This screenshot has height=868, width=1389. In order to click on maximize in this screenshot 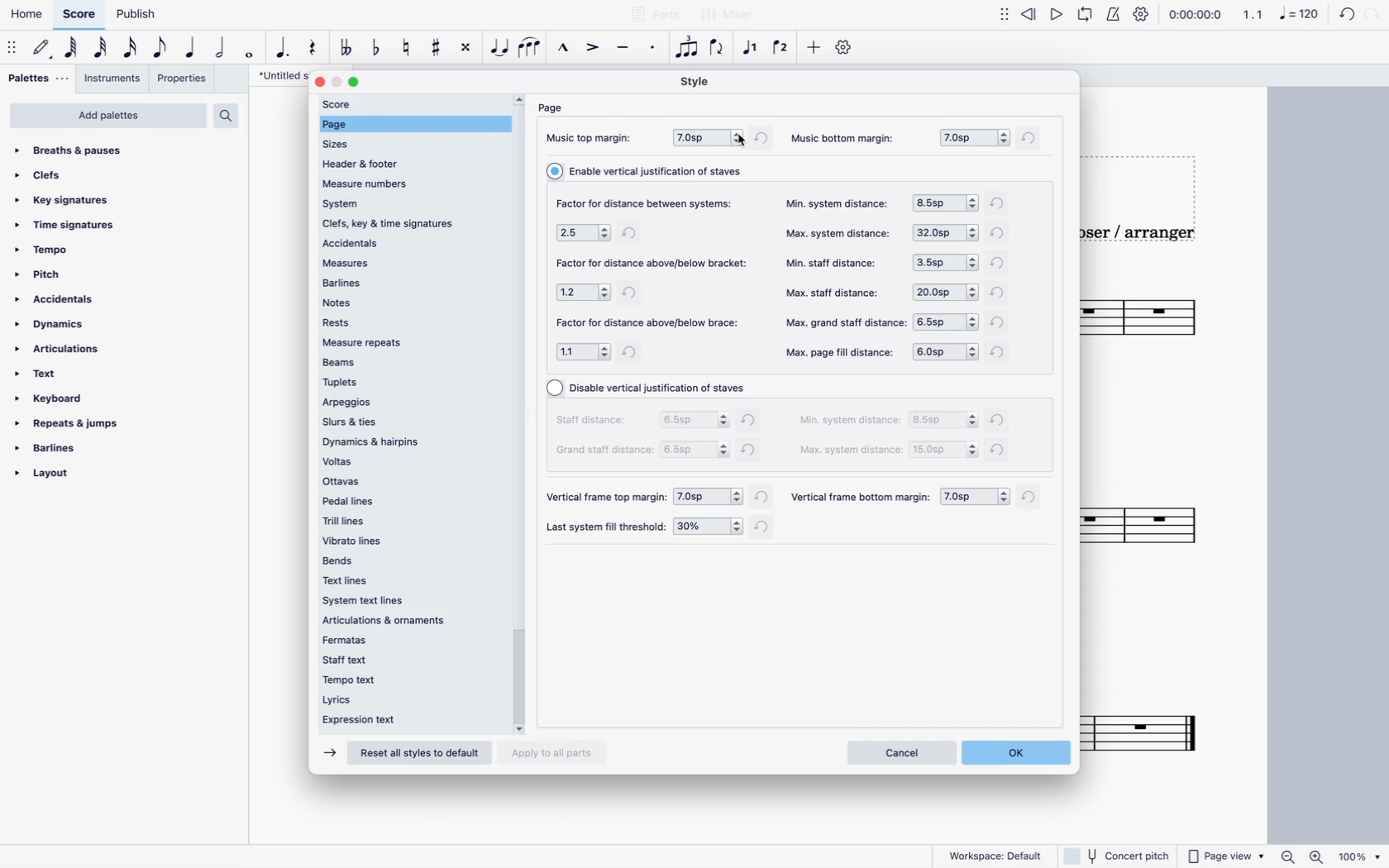, I will do `click(358, 83)`.